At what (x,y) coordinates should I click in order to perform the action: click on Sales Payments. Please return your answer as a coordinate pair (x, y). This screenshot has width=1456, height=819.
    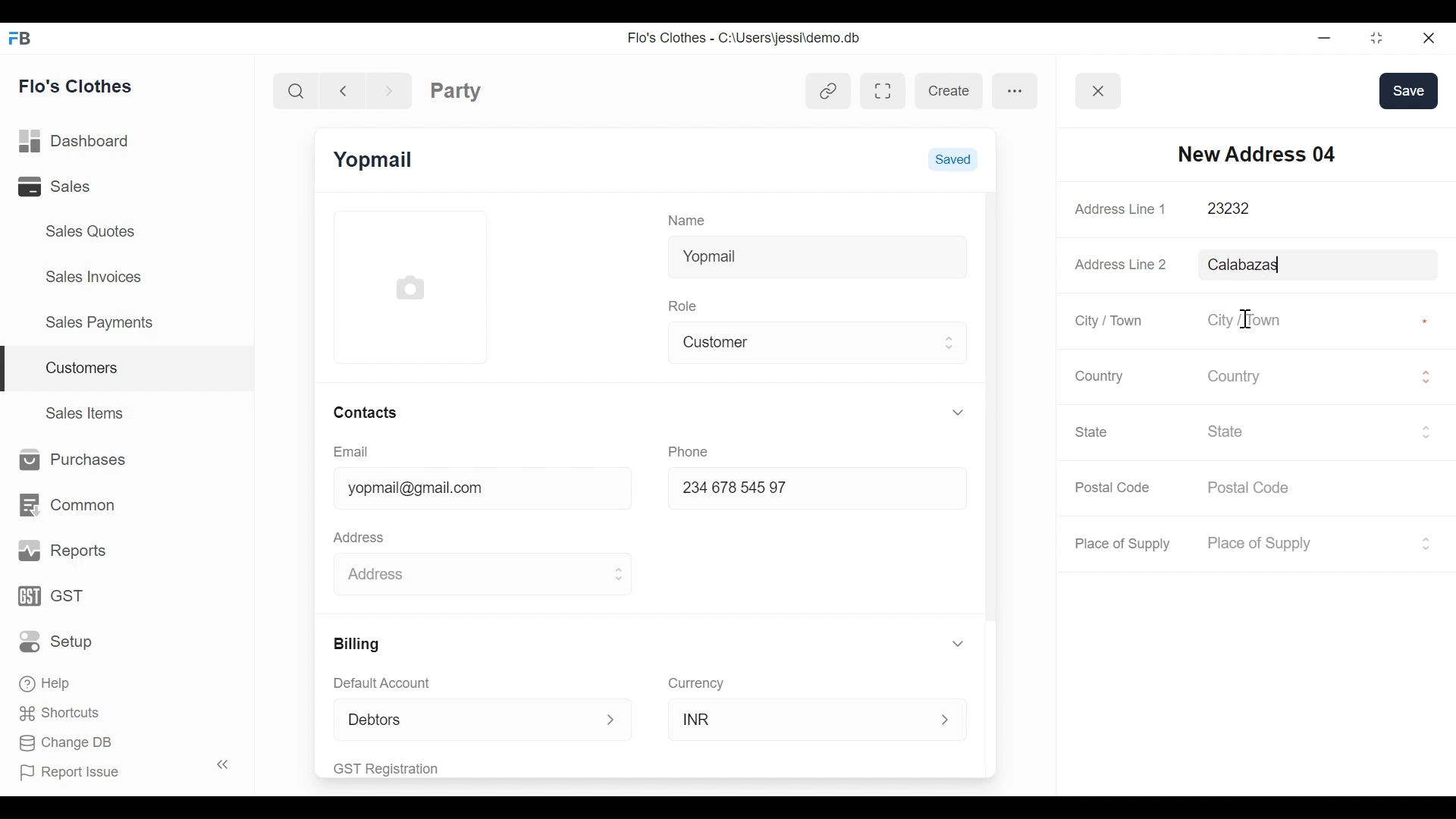
    Looking at the image, I should click on (98, 322).